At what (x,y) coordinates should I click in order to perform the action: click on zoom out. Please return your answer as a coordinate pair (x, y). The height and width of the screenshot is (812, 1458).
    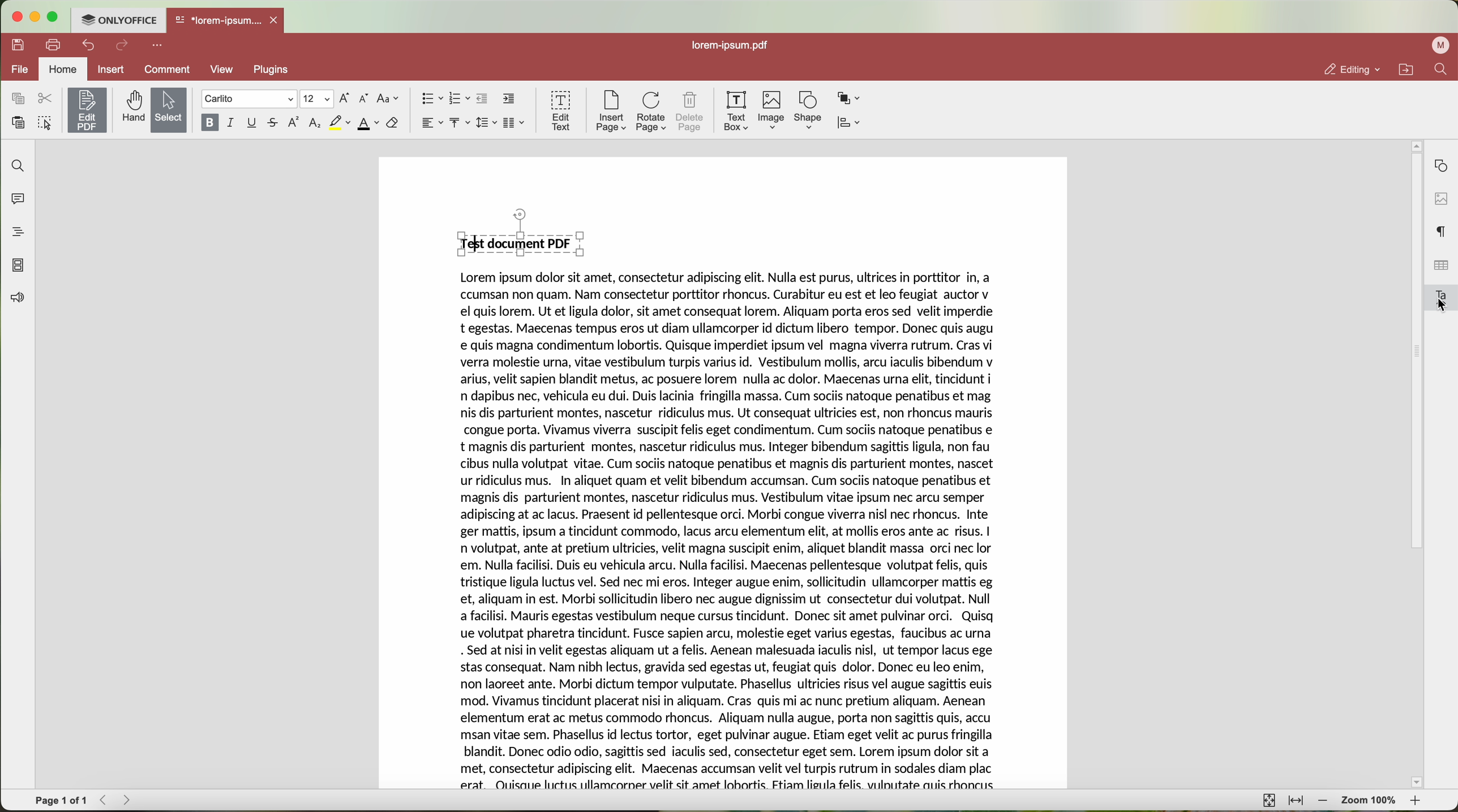
    Looking at the image, I should click on (1323, 801).